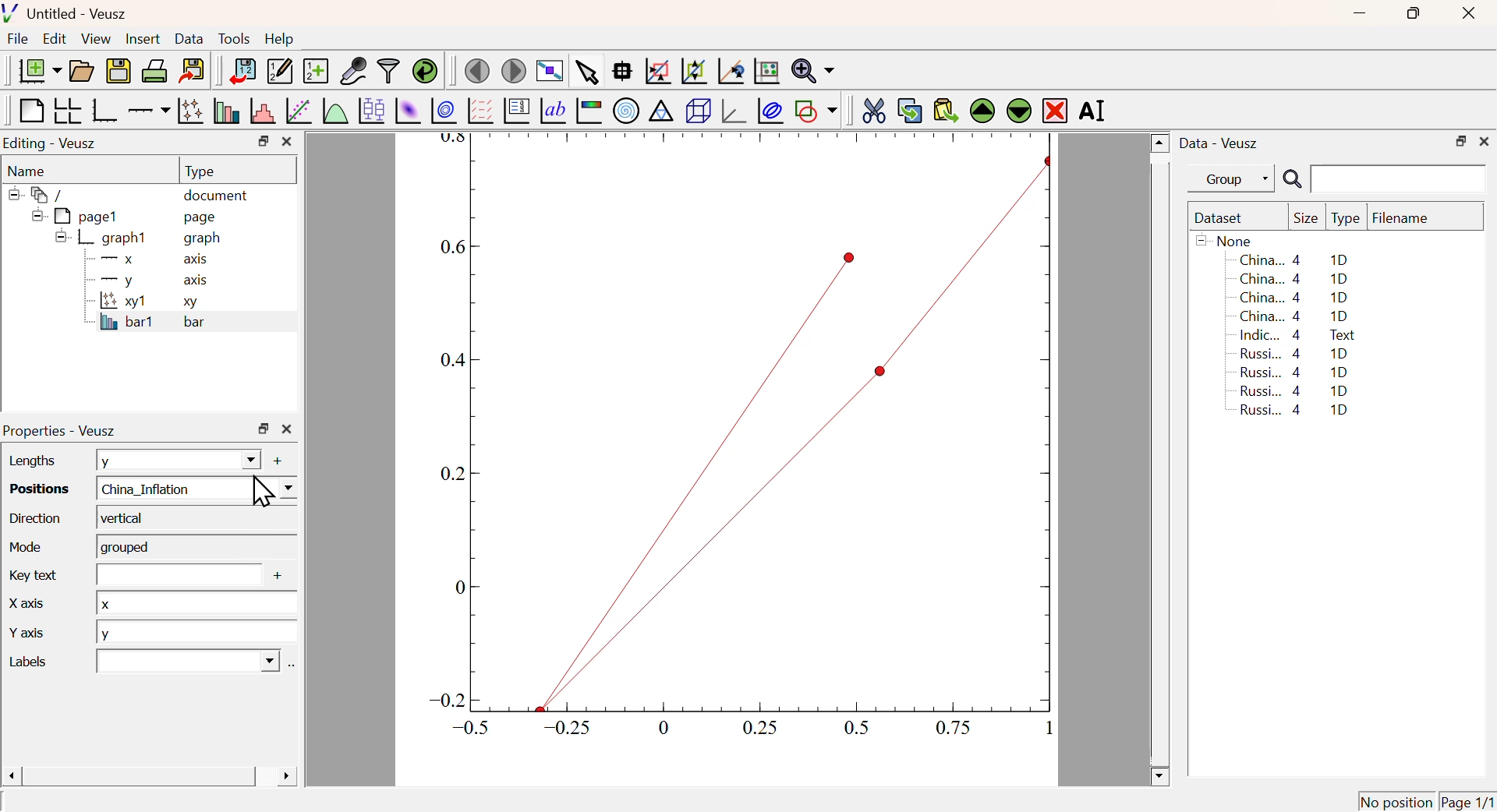  Describe the element at coordinates (909, 111) in the screenshot. I see `Copy` at that location.